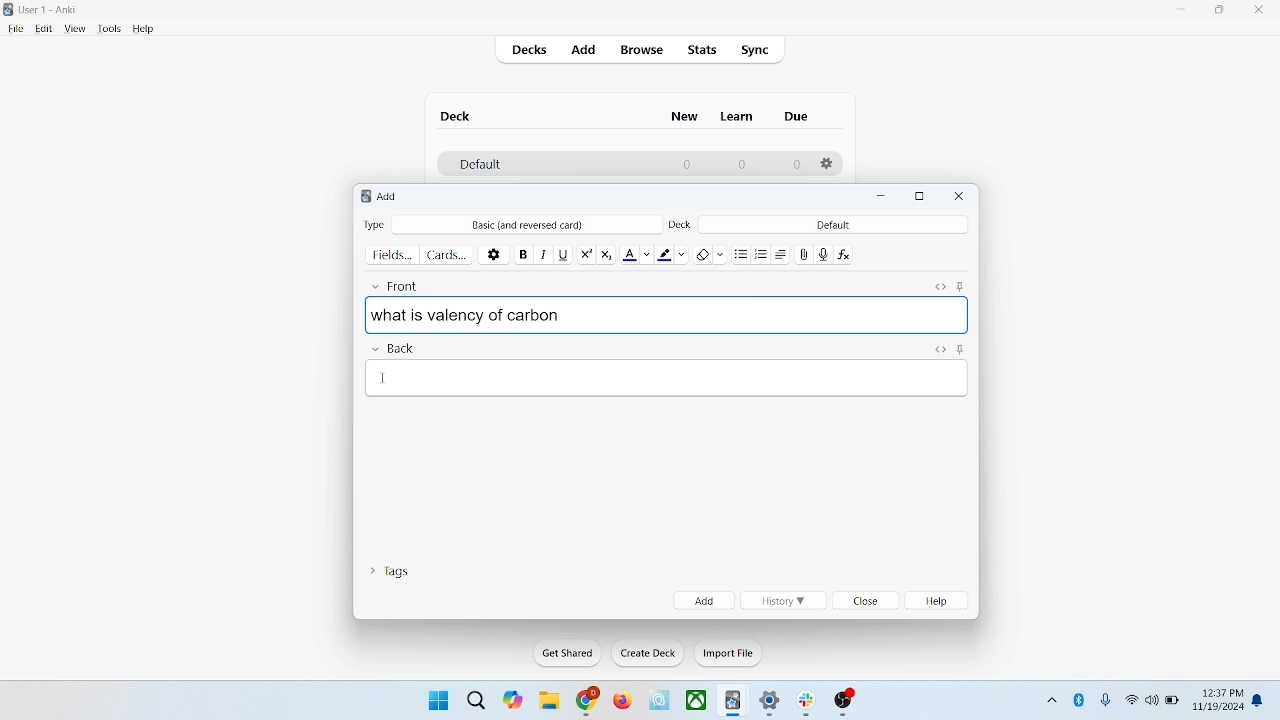  I want to click on notification, so click(1262, 699).